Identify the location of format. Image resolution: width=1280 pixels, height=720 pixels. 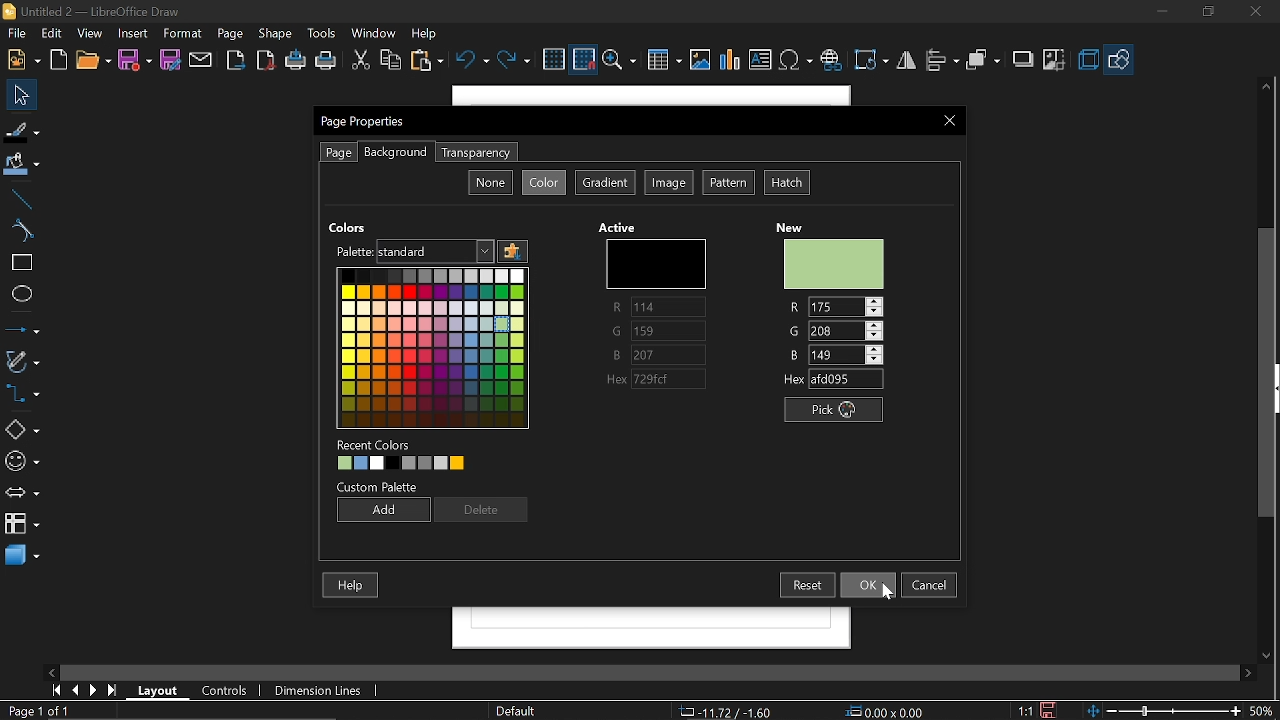
(184, 34).